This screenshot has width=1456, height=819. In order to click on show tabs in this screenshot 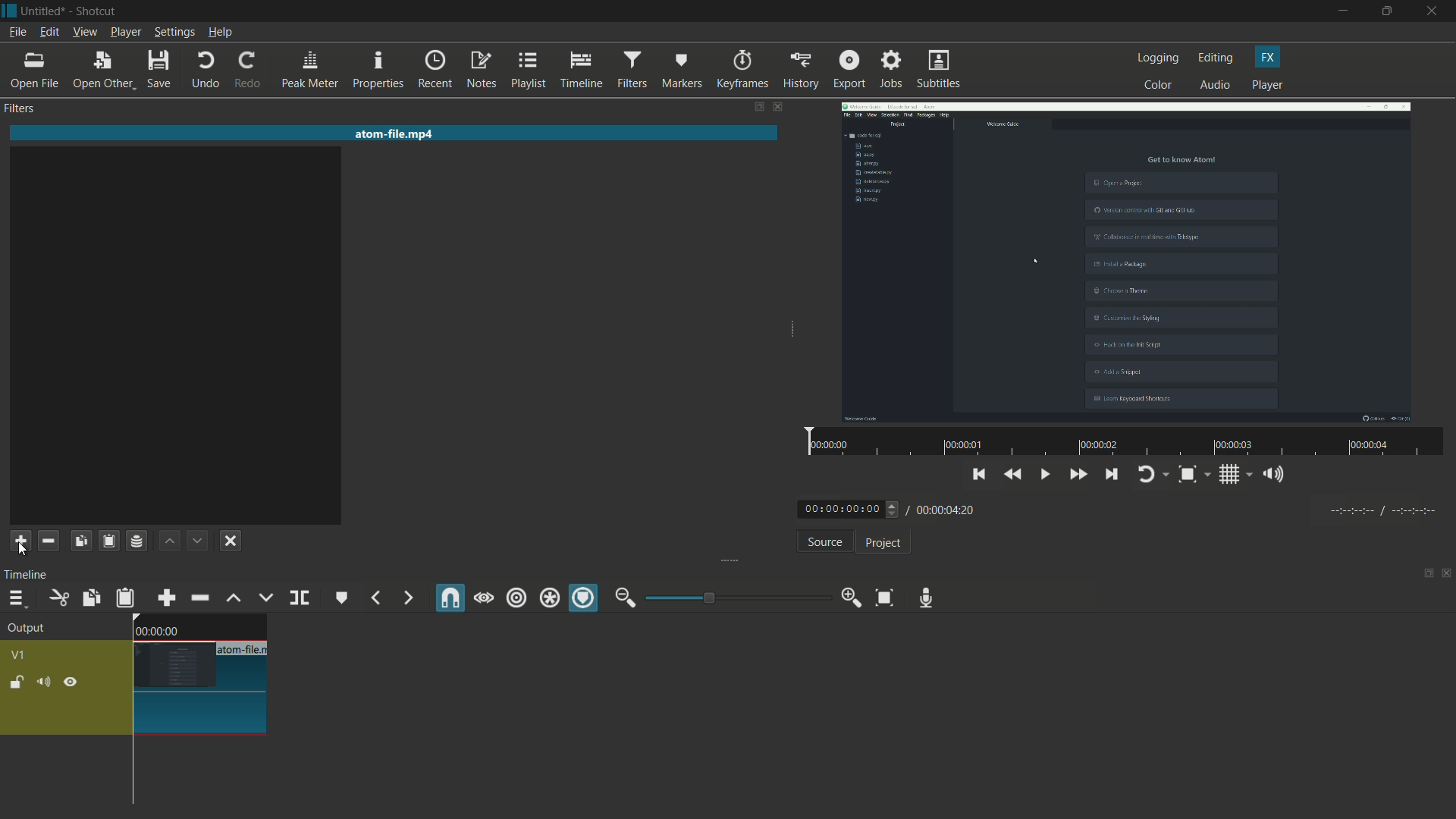, I will do `click(1423, 575)`.